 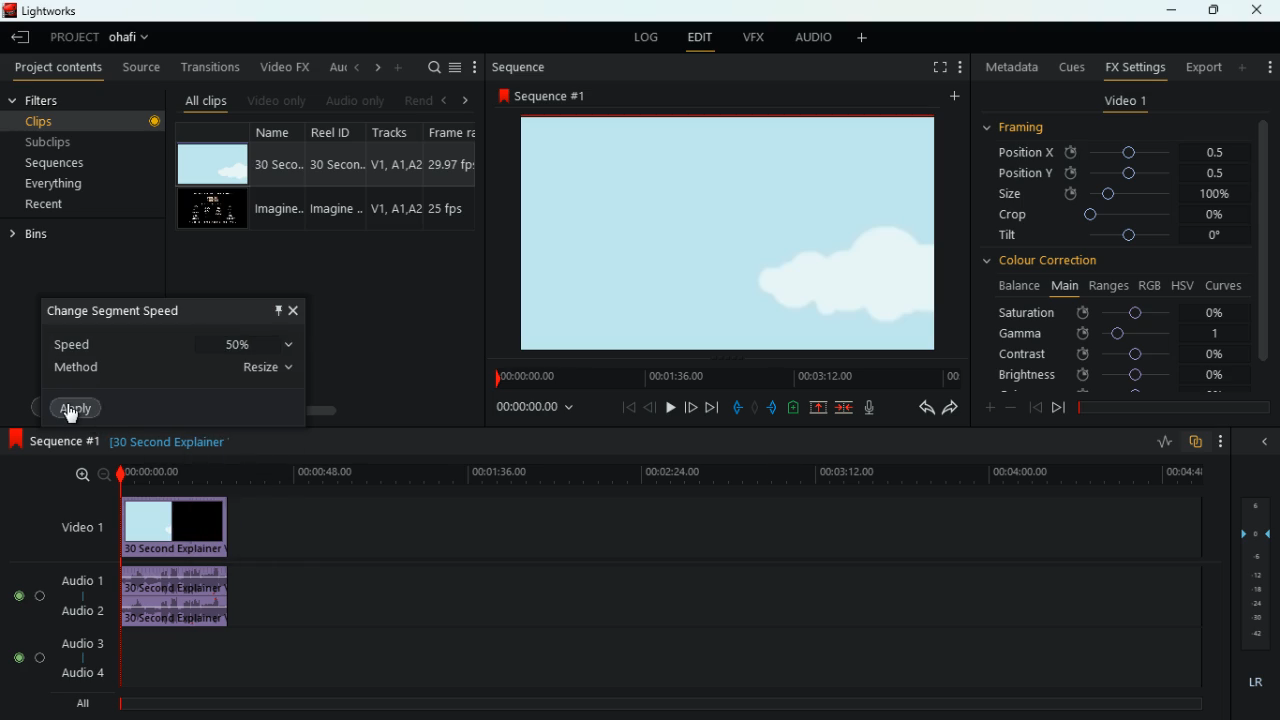 What do you see at coordinates (1115, 173) in the screenshot?
I see `position y` at bounding box center [1115, 173].